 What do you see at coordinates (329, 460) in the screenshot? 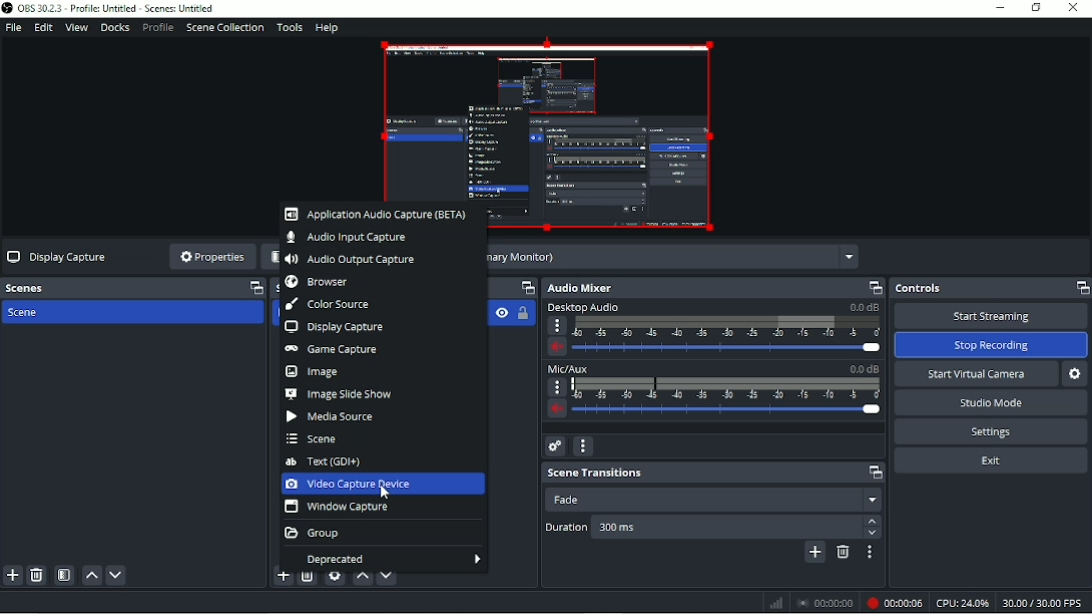
I see `Text` at bounding box center [329, 460].